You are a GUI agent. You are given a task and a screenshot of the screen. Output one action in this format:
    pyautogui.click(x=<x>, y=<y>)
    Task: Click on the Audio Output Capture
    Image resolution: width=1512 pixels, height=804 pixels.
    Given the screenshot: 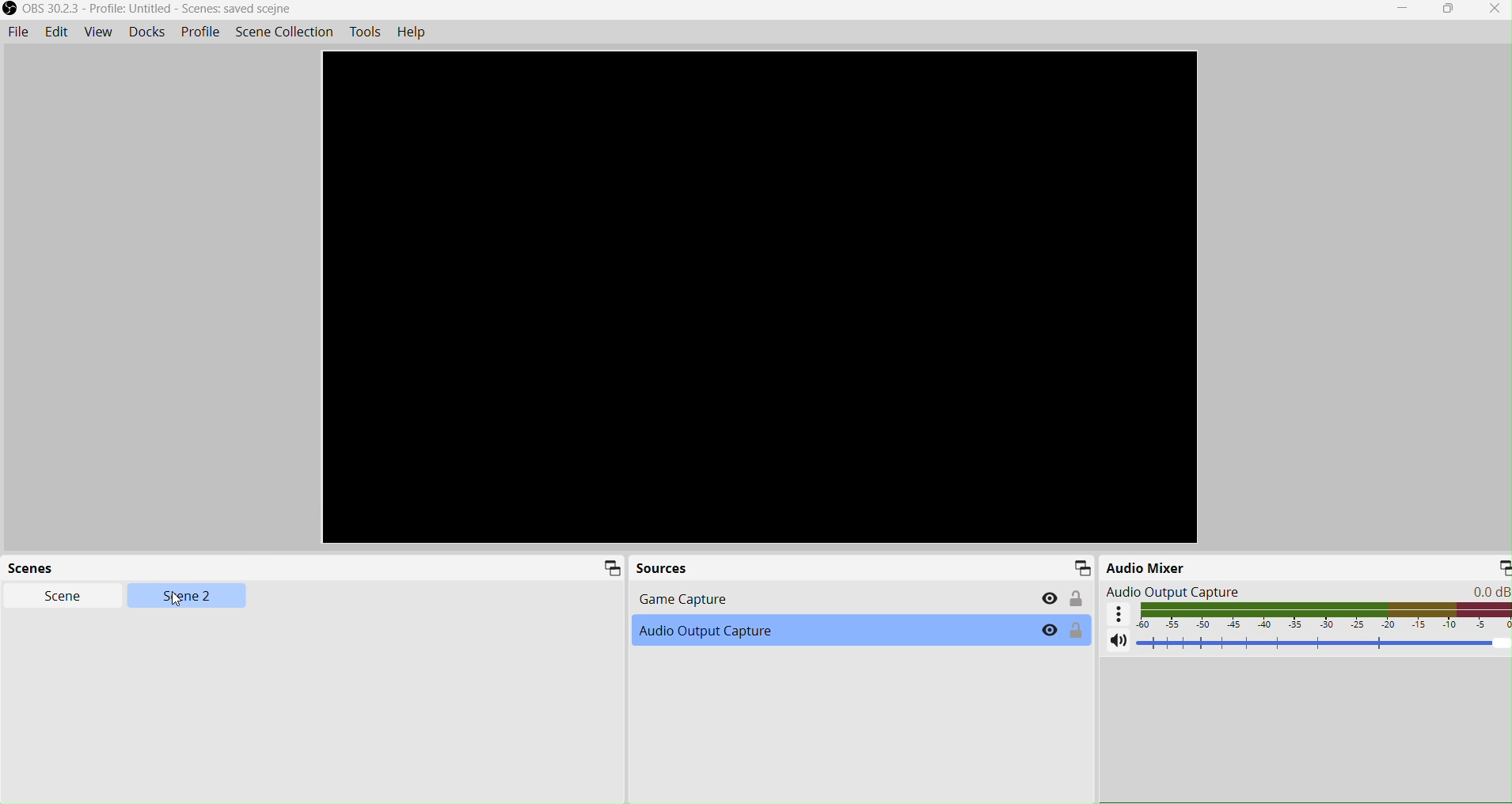 What is the action you would take?
    pyautogui.click(x=1306, y=590)
    